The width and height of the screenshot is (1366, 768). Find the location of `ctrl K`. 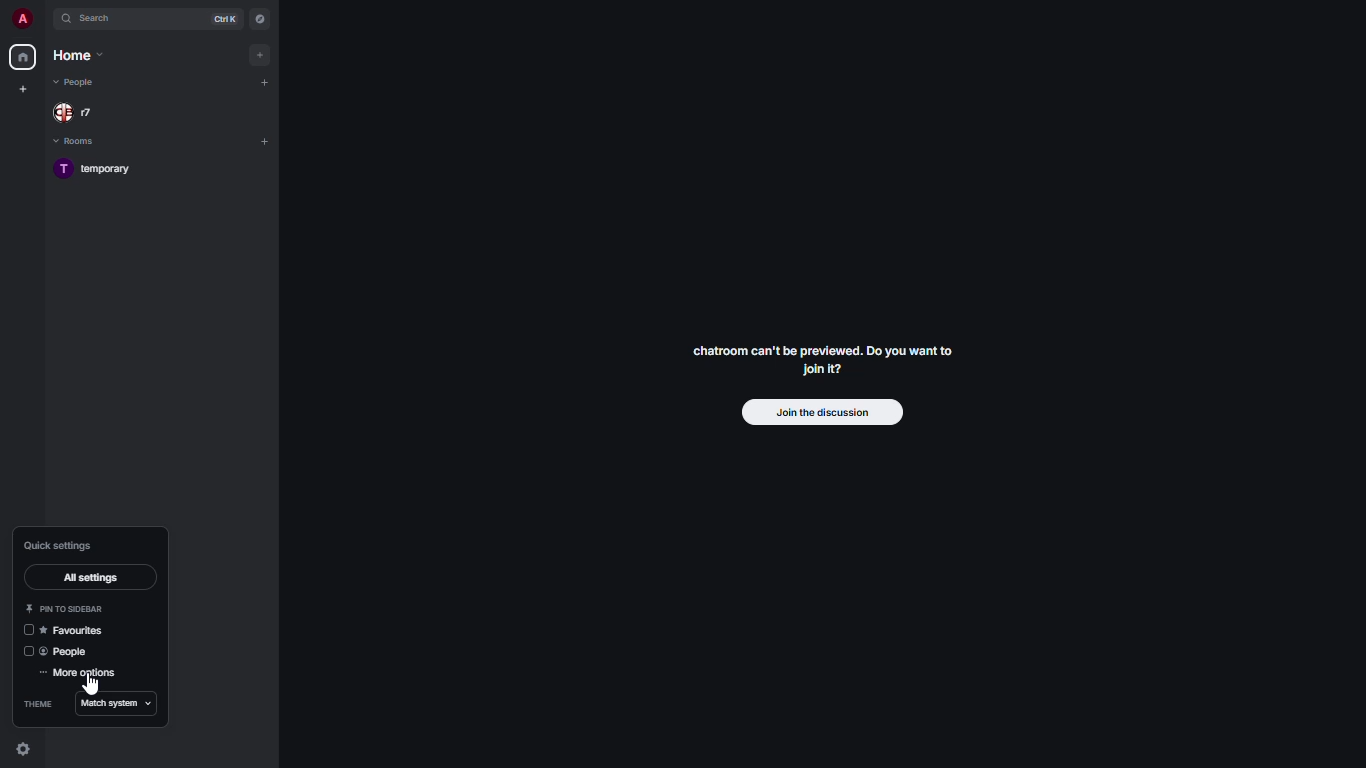

ctrl K is located at coordinates (226, 18).